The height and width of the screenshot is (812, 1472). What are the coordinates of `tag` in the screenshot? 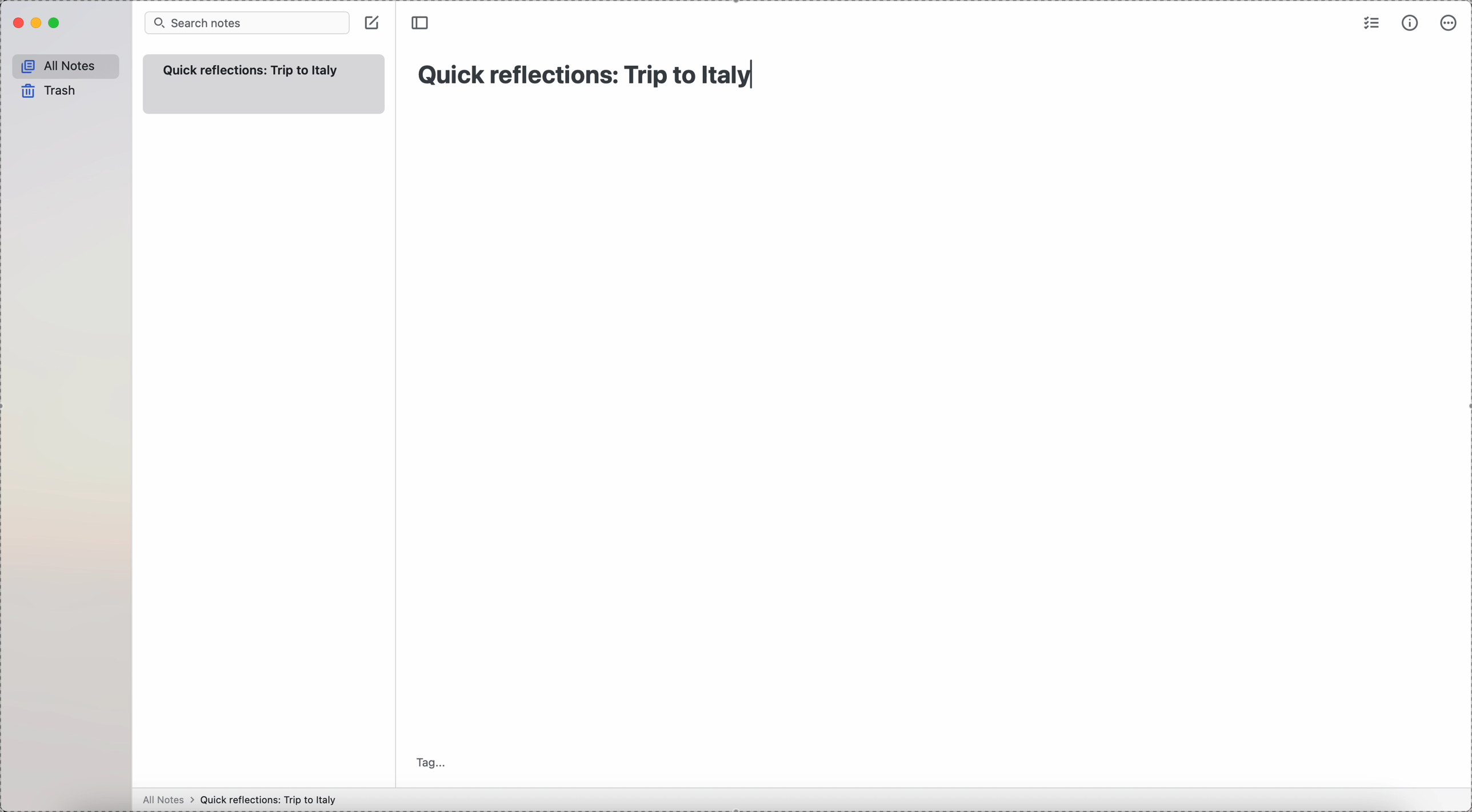 It's located at (431, 762).